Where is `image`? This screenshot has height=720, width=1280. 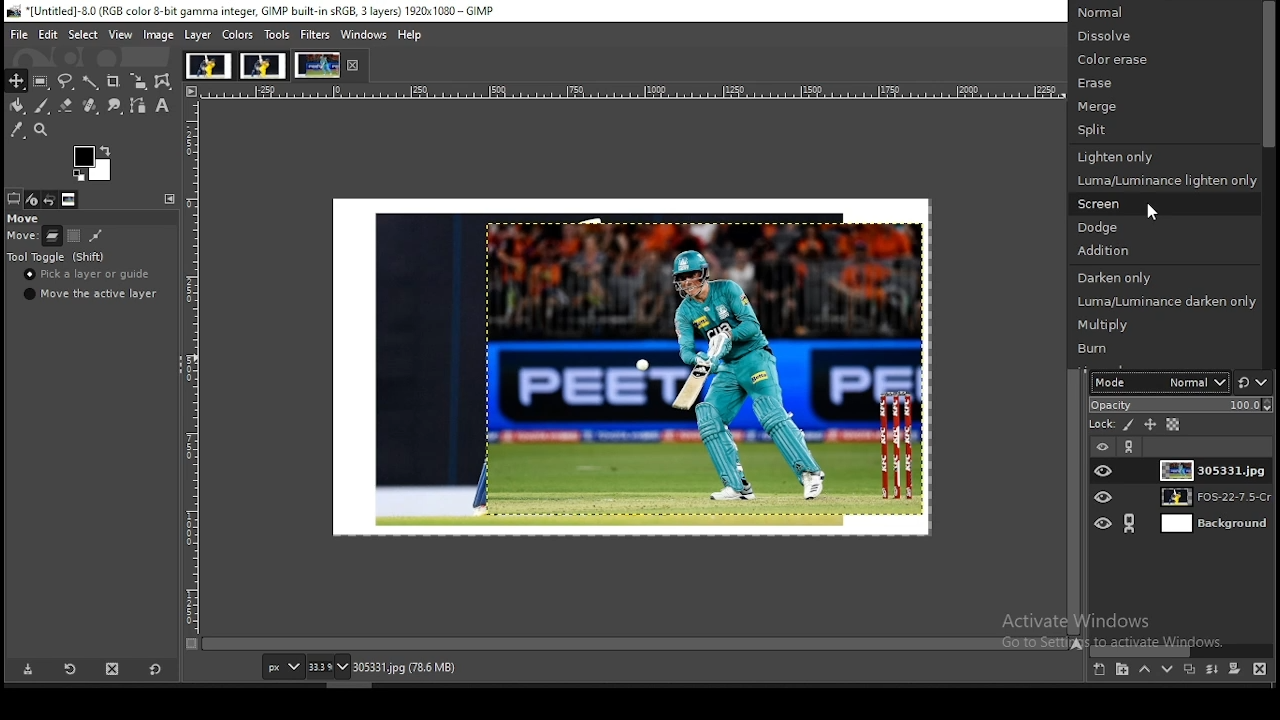 image is located at coordinates (262, 64).